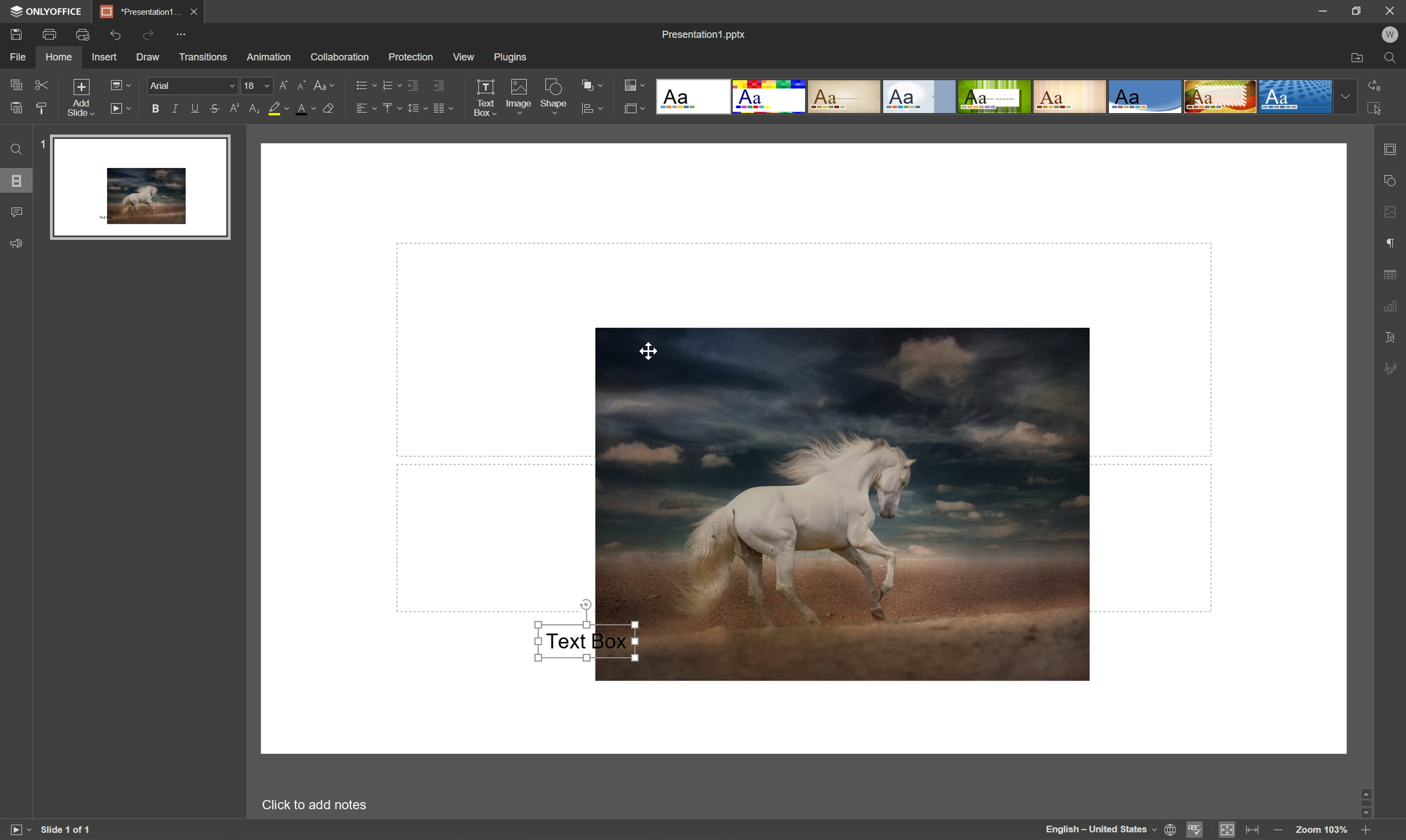 This screenshot has height=840, width=1406. Describe the element at coordinates (189, 87) in the screenshot. I see `Arial` at that location.